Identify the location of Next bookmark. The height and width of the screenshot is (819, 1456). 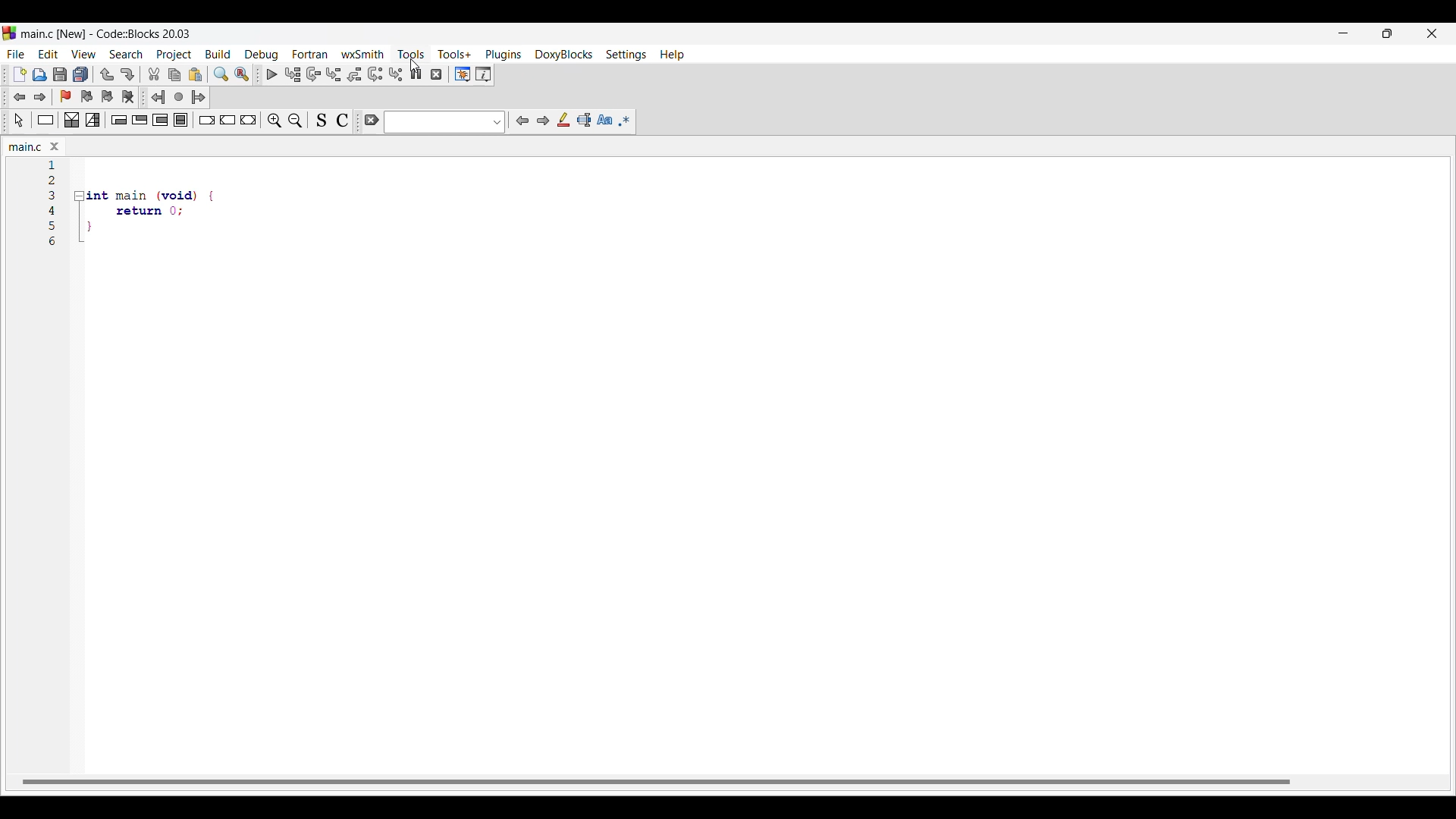
(107, 96).